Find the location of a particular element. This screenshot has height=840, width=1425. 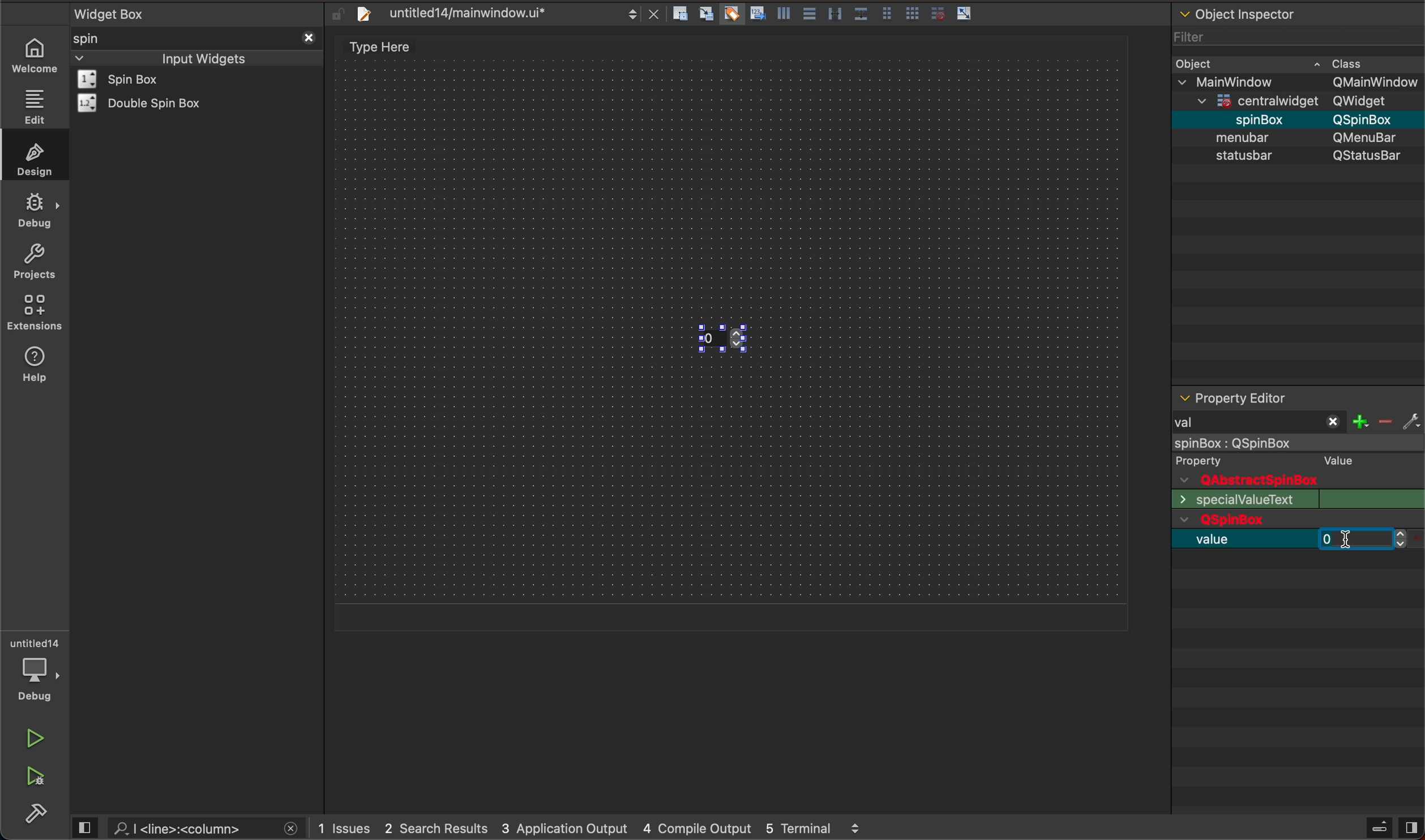

run is located at coordinates (33, 739).